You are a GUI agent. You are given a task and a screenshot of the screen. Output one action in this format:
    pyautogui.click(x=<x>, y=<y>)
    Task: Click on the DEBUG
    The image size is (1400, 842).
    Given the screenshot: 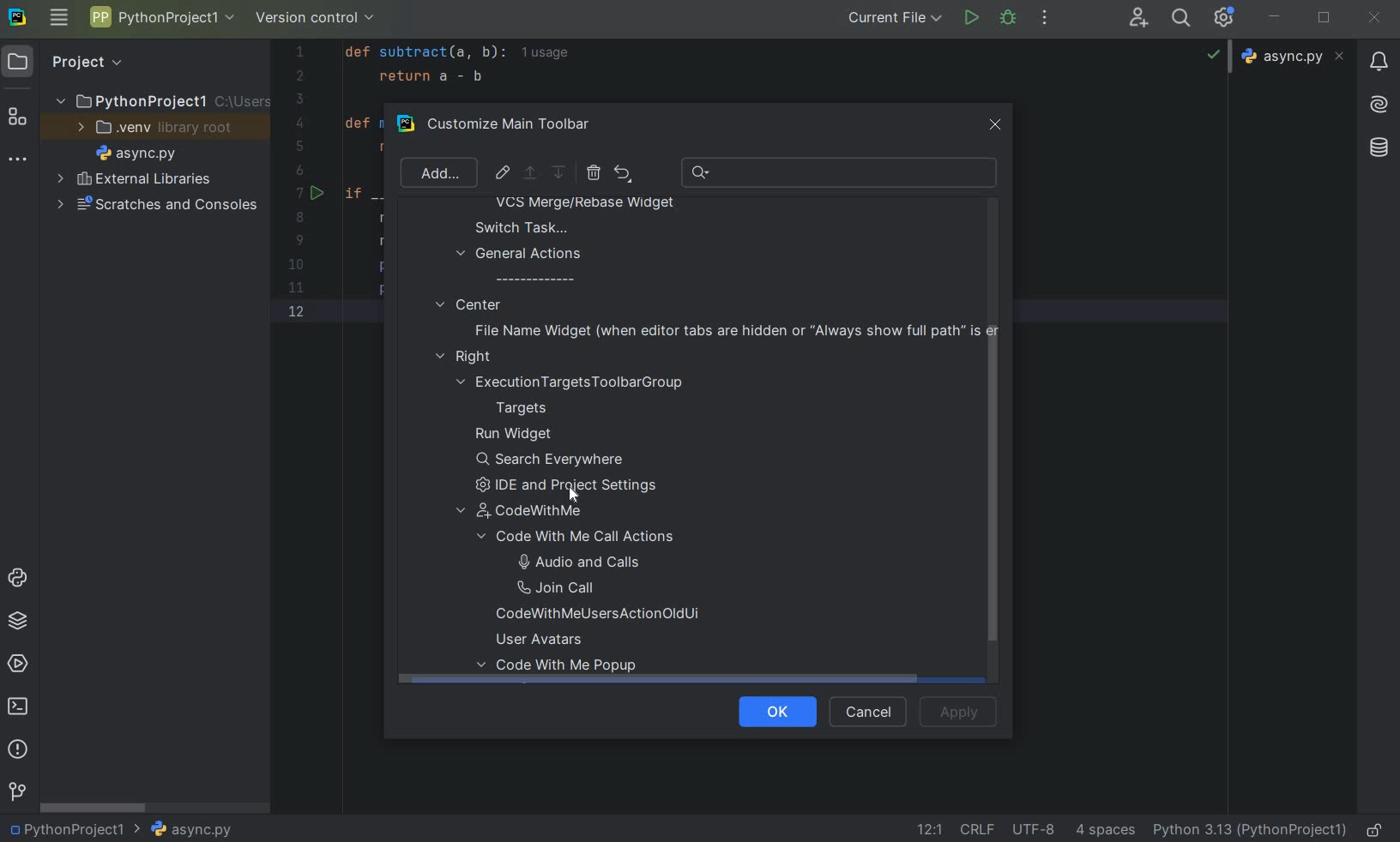 What is the action you would take?
    pyautogui.click(x=1011, y=21)
    